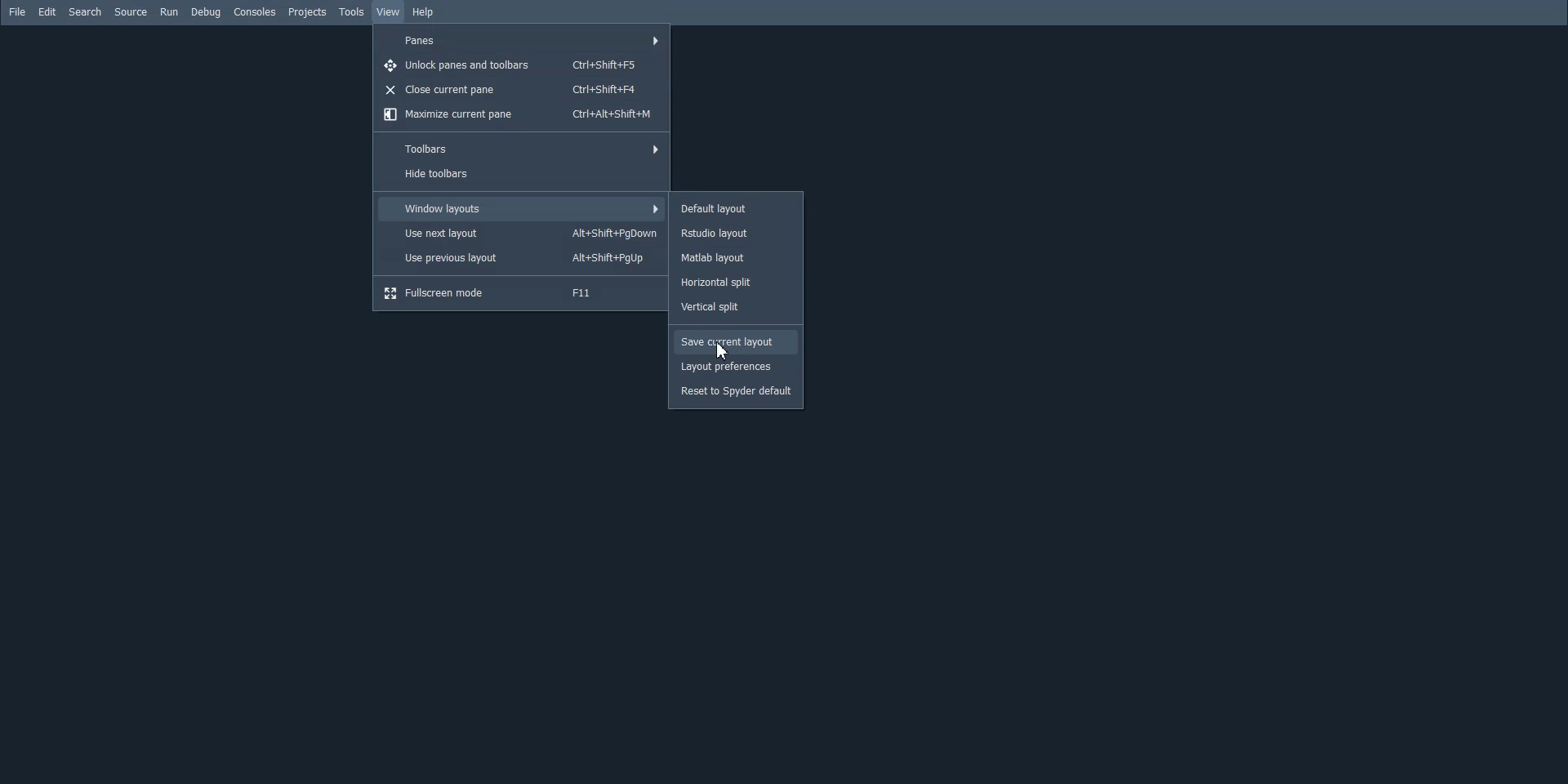 The image size is (1568, 784). What do you see at coordinates (206, 12) in the screenshot?
I see `Debug` at bounding box center [206, 12].